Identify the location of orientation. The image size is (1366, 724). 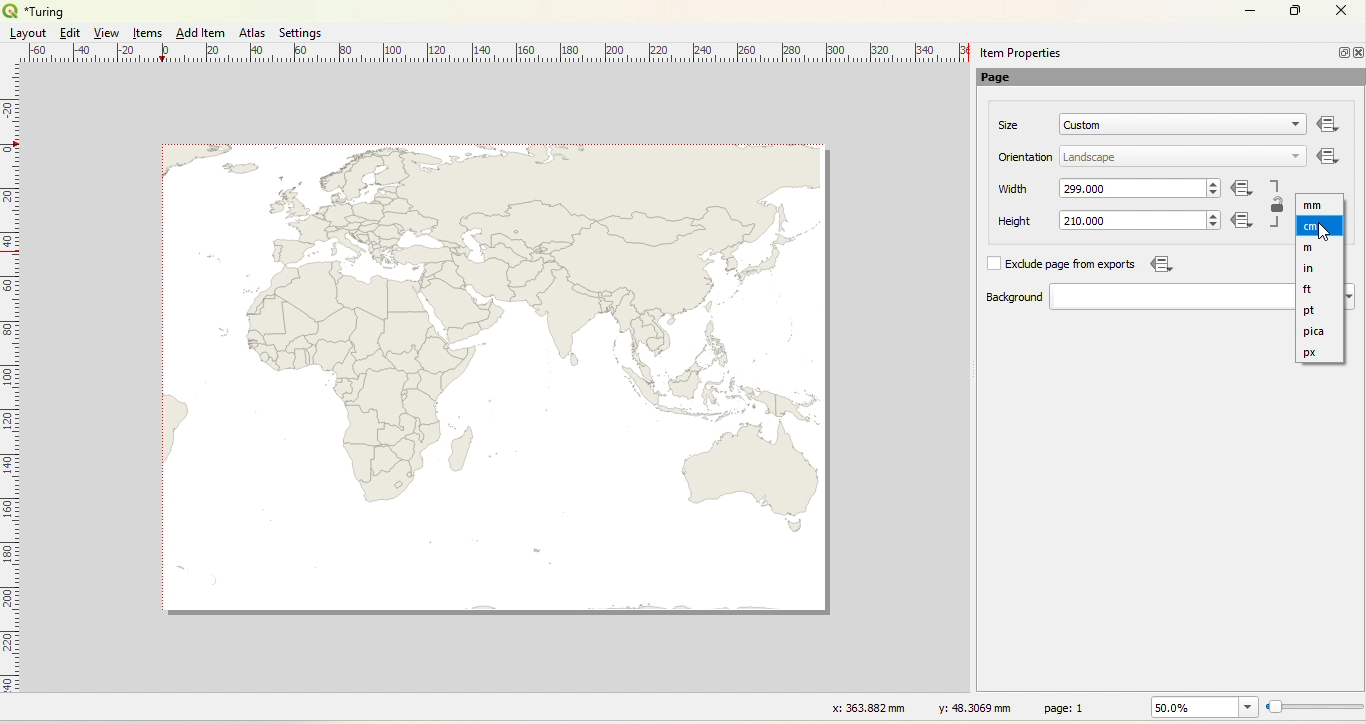
(1027, 157).